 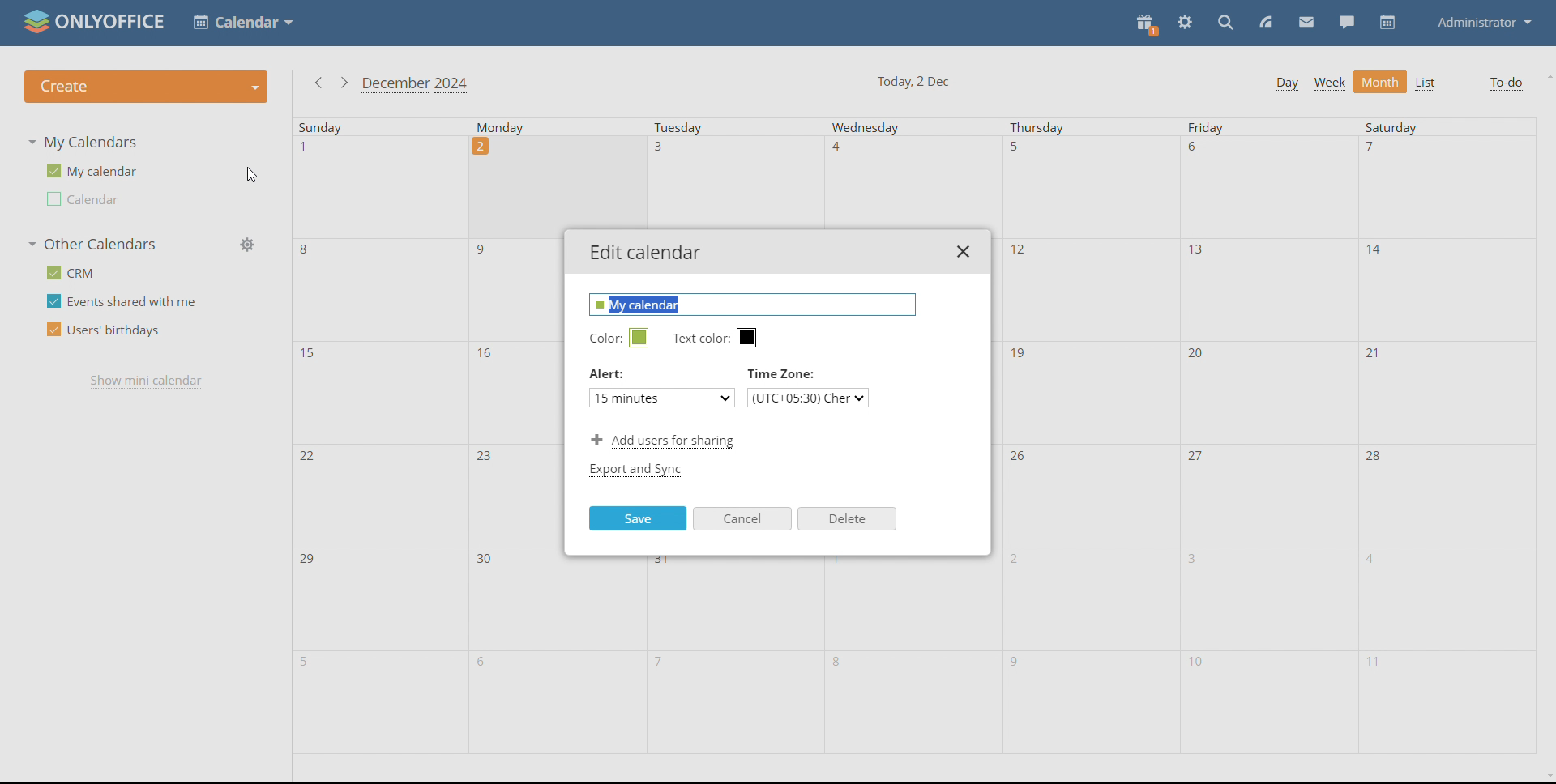 I want to click on Alert, so click(x=605, y=374).